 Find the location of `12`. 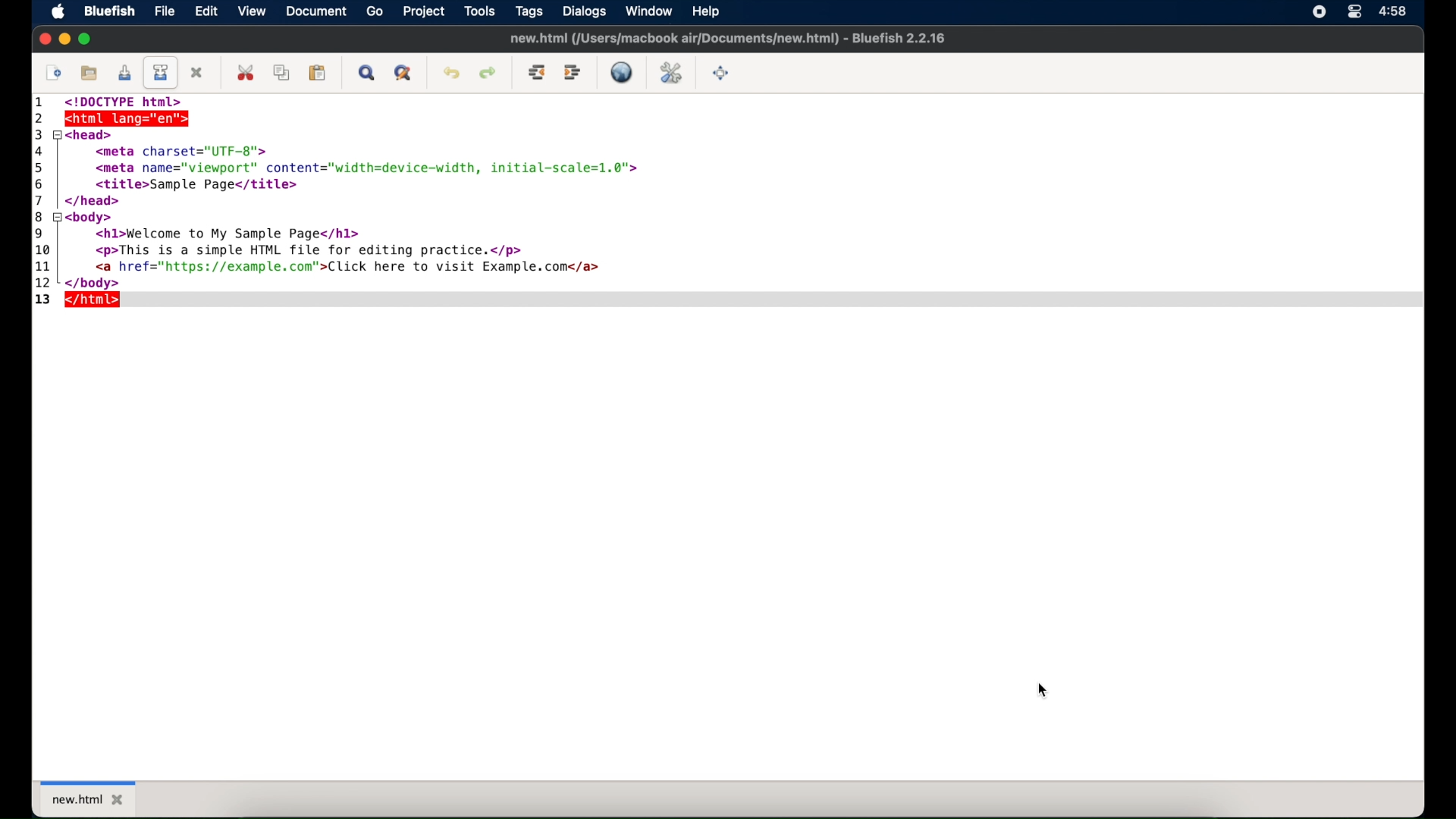

12 is located at coordinates (45, 283).